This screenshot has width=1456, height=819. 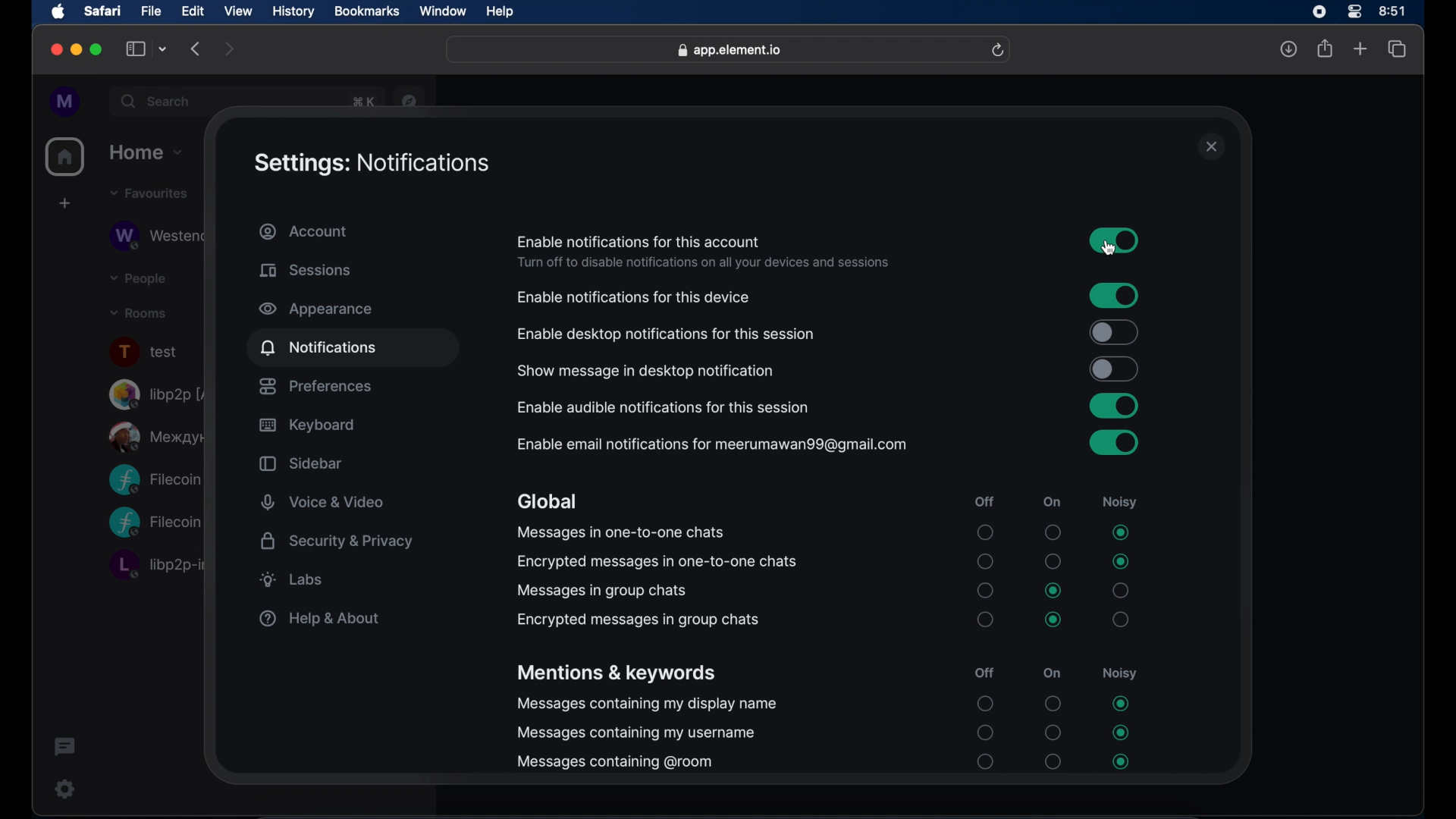 What do you see at coordinates (548, 501) in the screenshot?
I see `global` at bounding box center [548, 501].